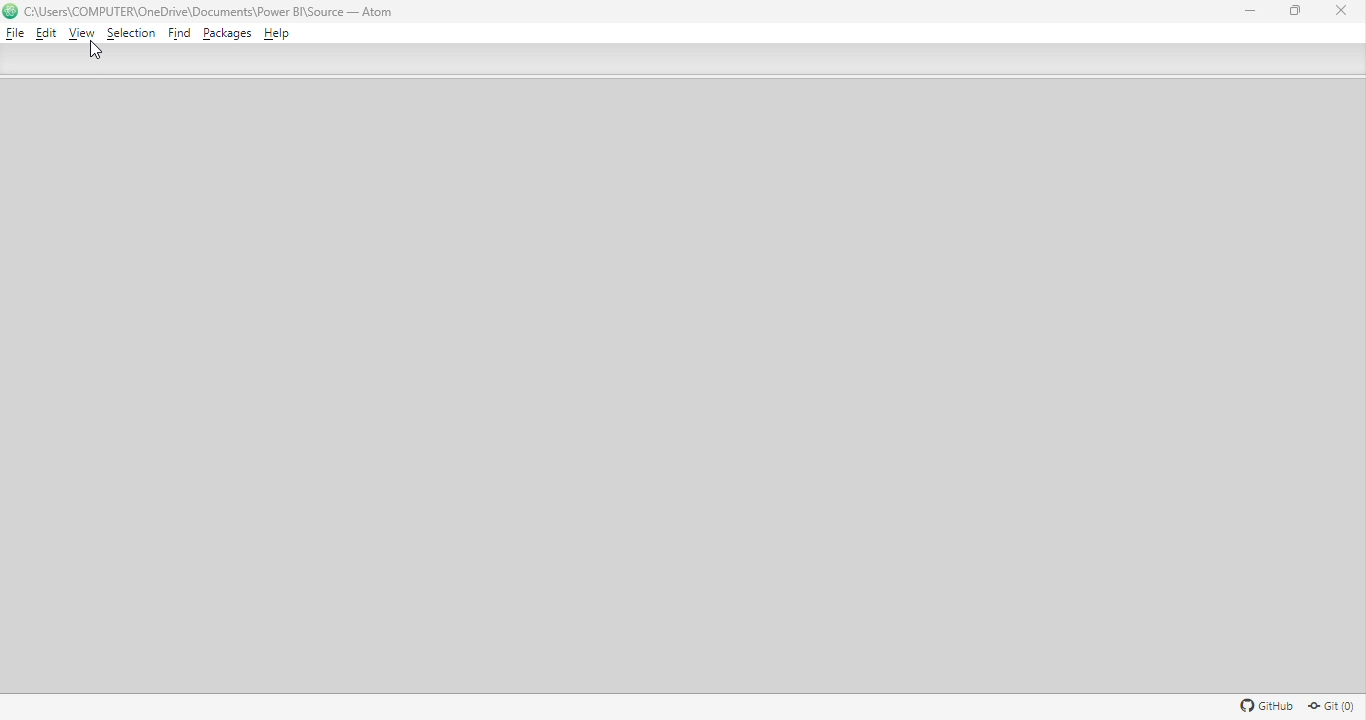 This screenshot has height=720, width=1366. I want to click on Git repository, so click(1330, 707).